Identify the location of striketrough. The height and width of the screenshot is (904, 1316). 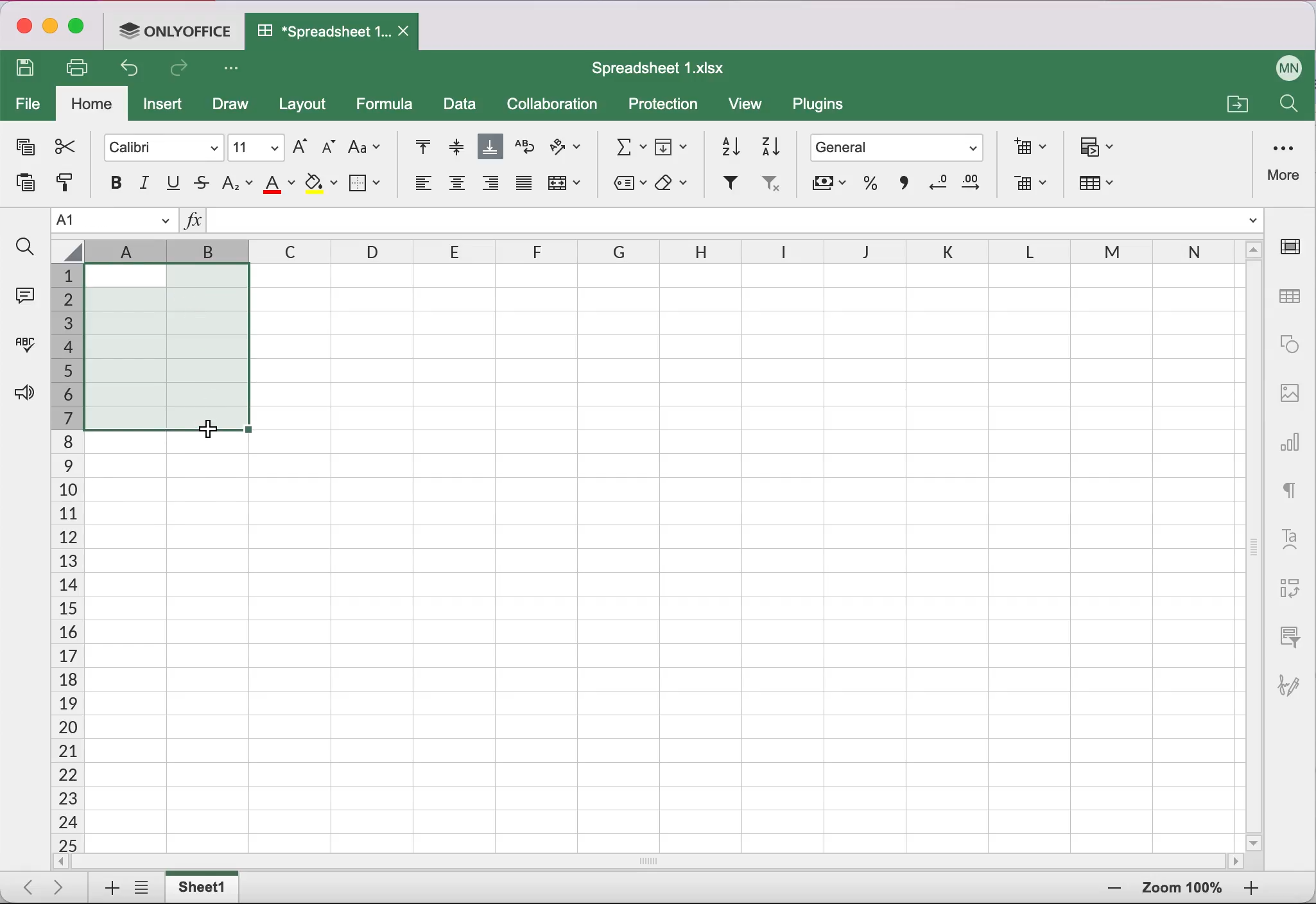
(202, 184).